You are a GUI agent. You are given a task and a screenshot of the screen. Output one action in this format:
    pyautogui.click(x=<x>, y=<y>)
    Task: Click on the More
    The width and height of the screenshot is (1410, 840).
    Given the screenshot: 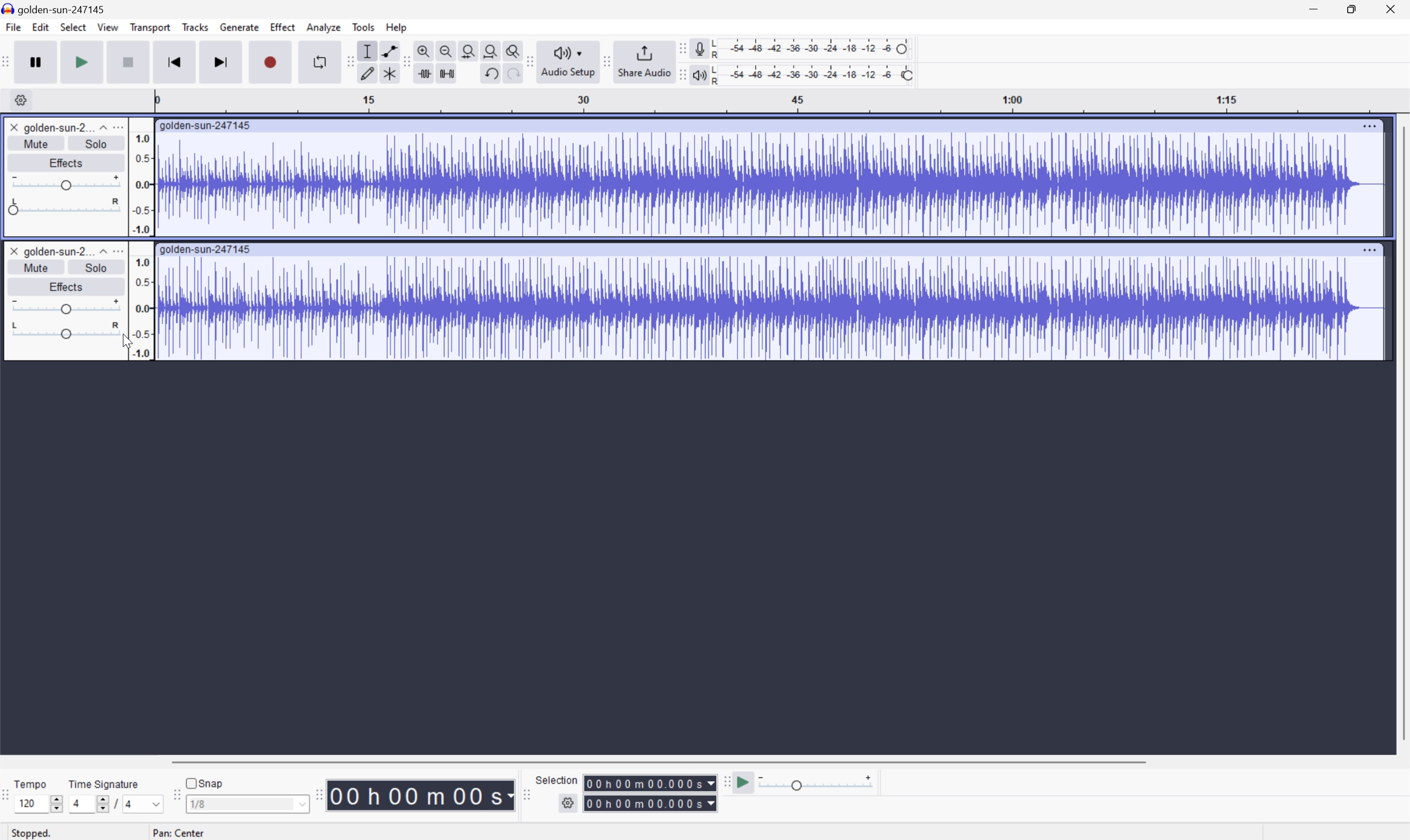 What is the action you would take?
    pyautogui.click(x=1370, y=246)
    